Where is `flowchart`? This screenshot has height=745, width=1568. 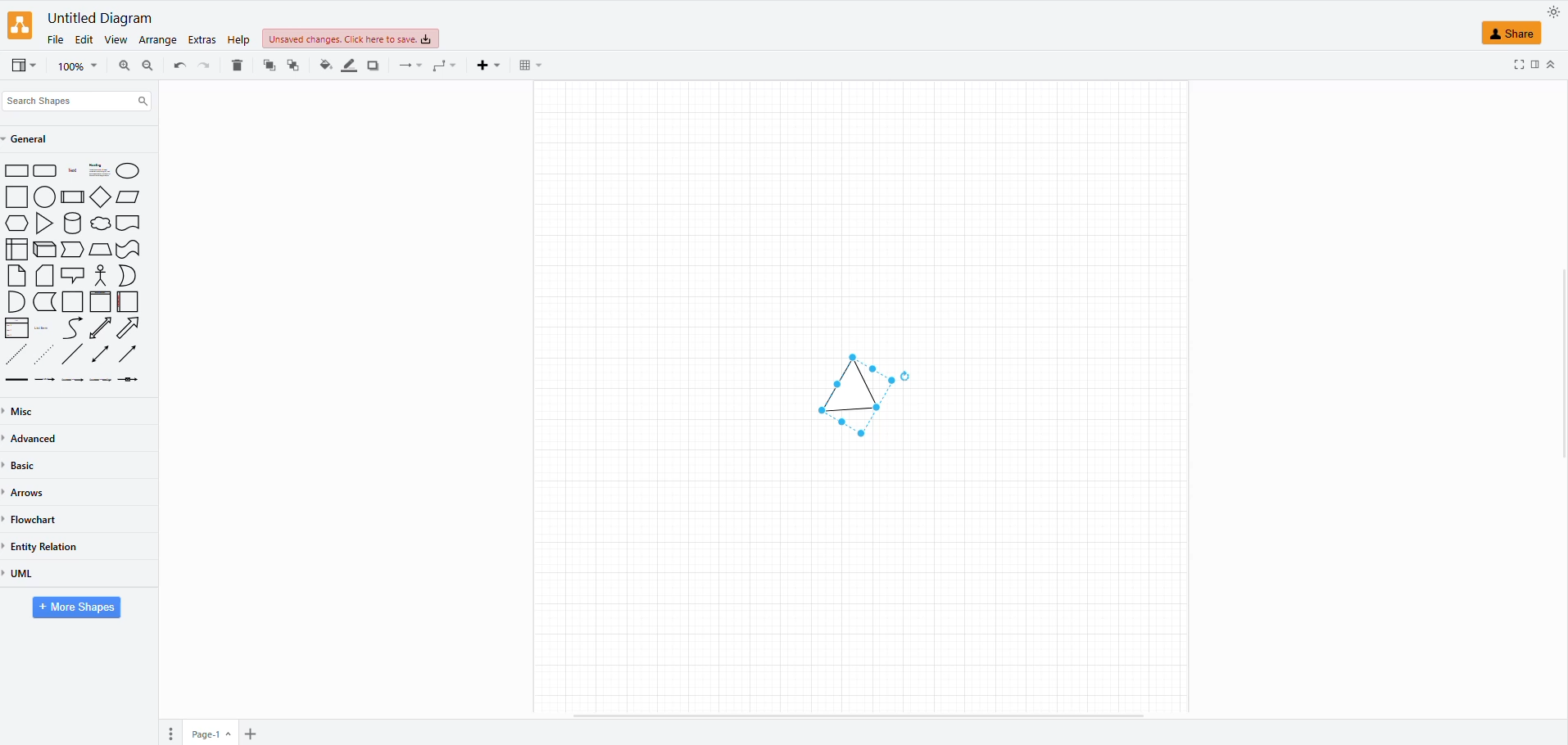
flowchart is located at coordinates (39, 516).